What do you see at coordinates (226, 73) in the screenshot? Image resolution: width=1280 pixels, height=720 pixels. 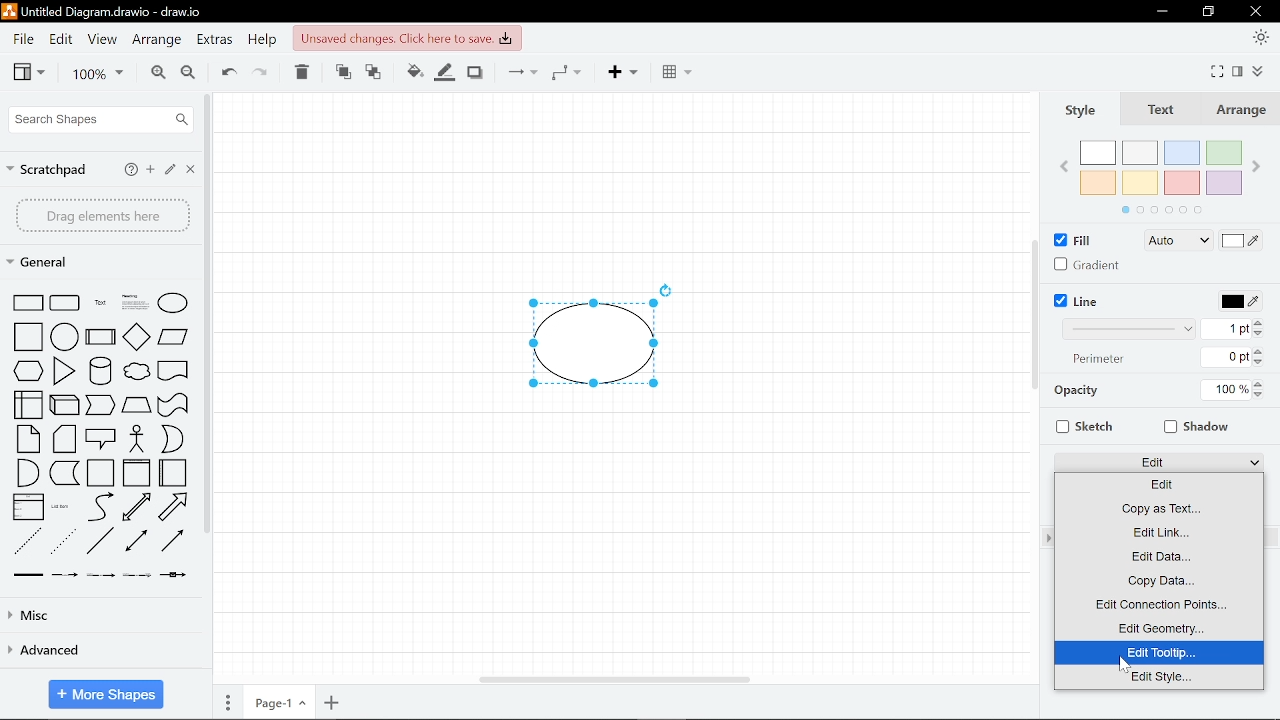 I see `Undo` at bounding box center [226, 73].